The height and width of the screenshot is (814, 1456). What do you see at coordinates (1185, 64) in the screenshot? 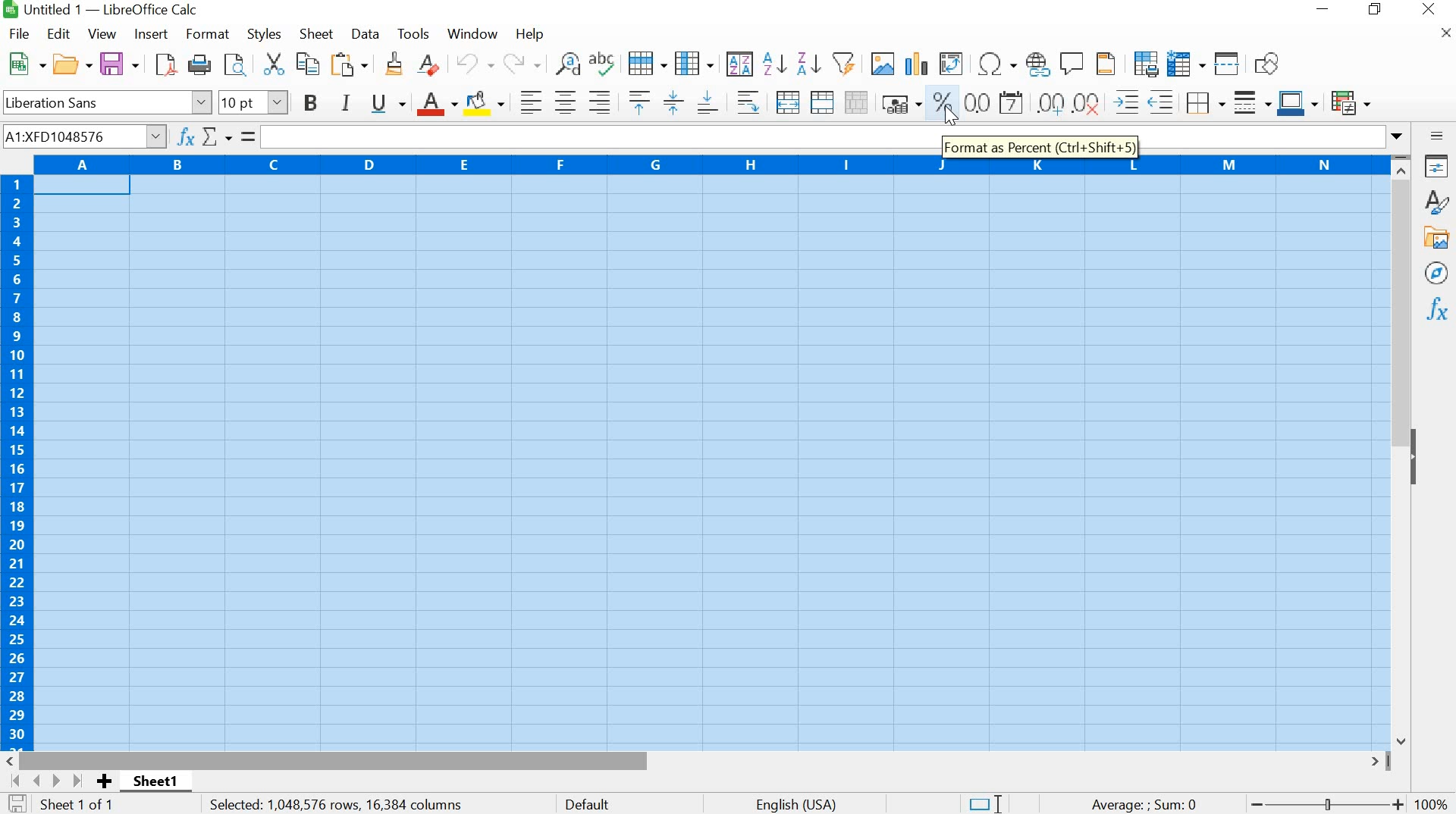
I see `Freeze rows and columns` at bounding box center [1185, 64].